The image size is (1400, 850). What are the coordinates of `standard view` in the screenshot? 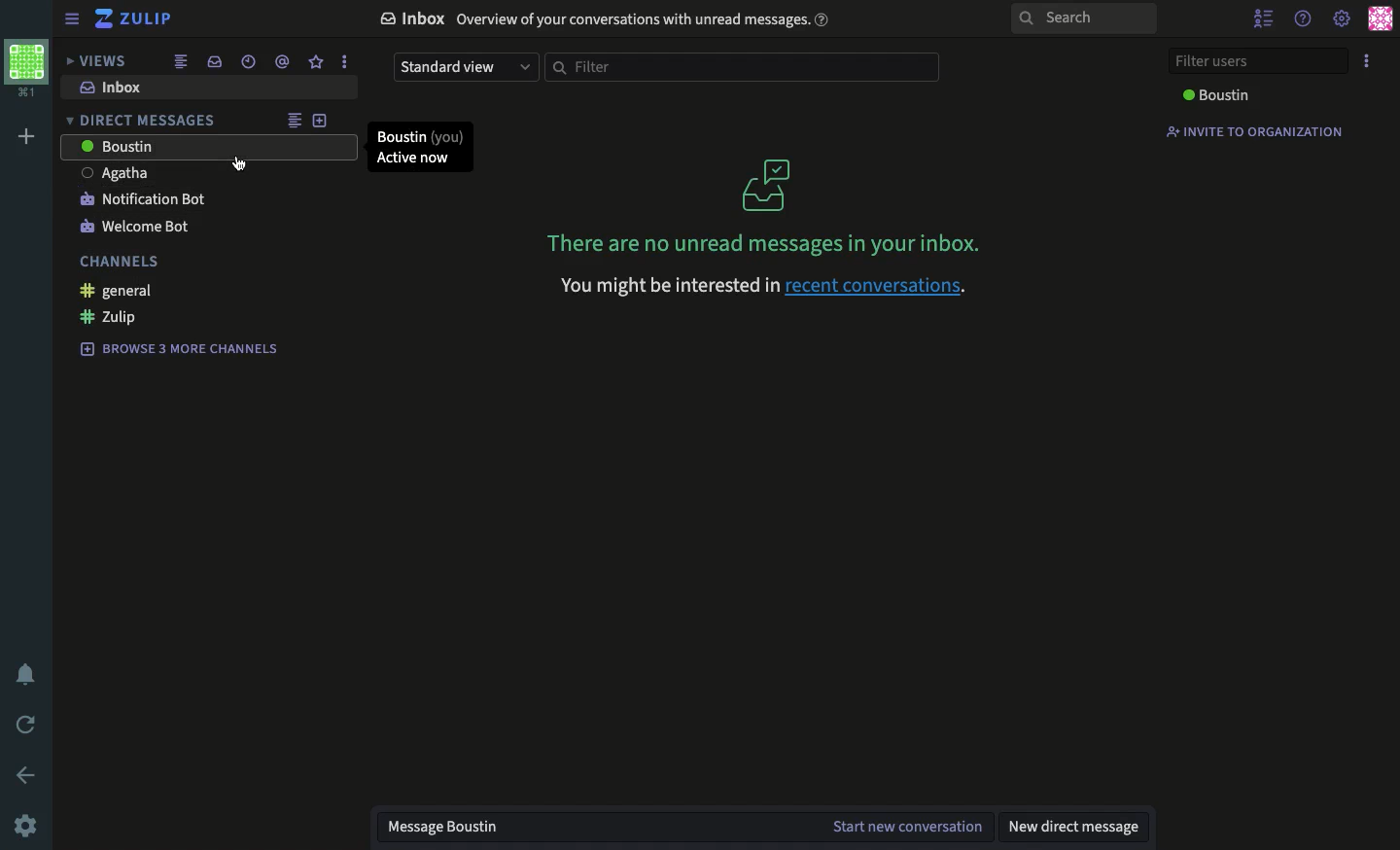 It's located at (467, 67).